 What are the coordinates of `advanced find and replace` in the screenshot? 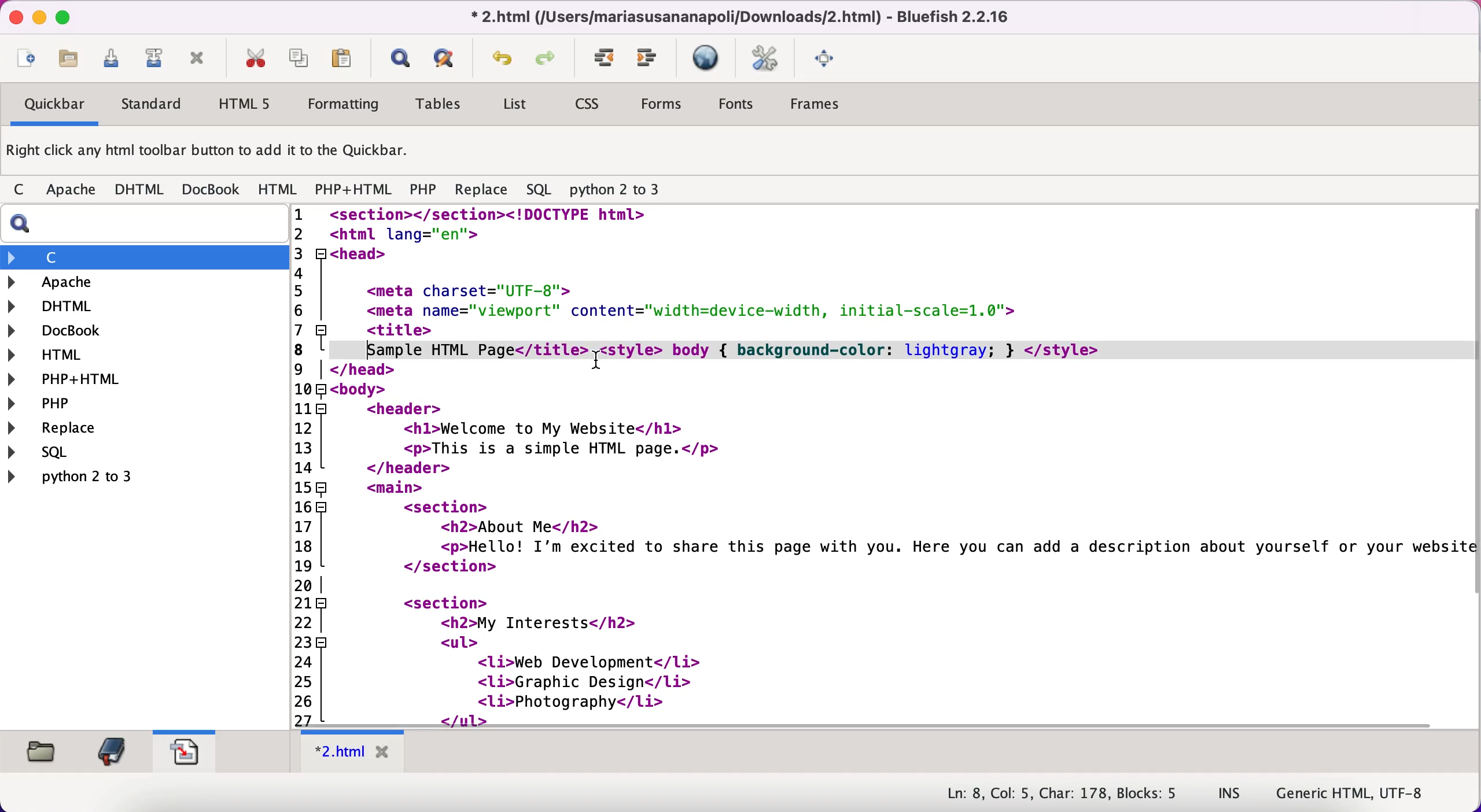 It's located at (447, 58).